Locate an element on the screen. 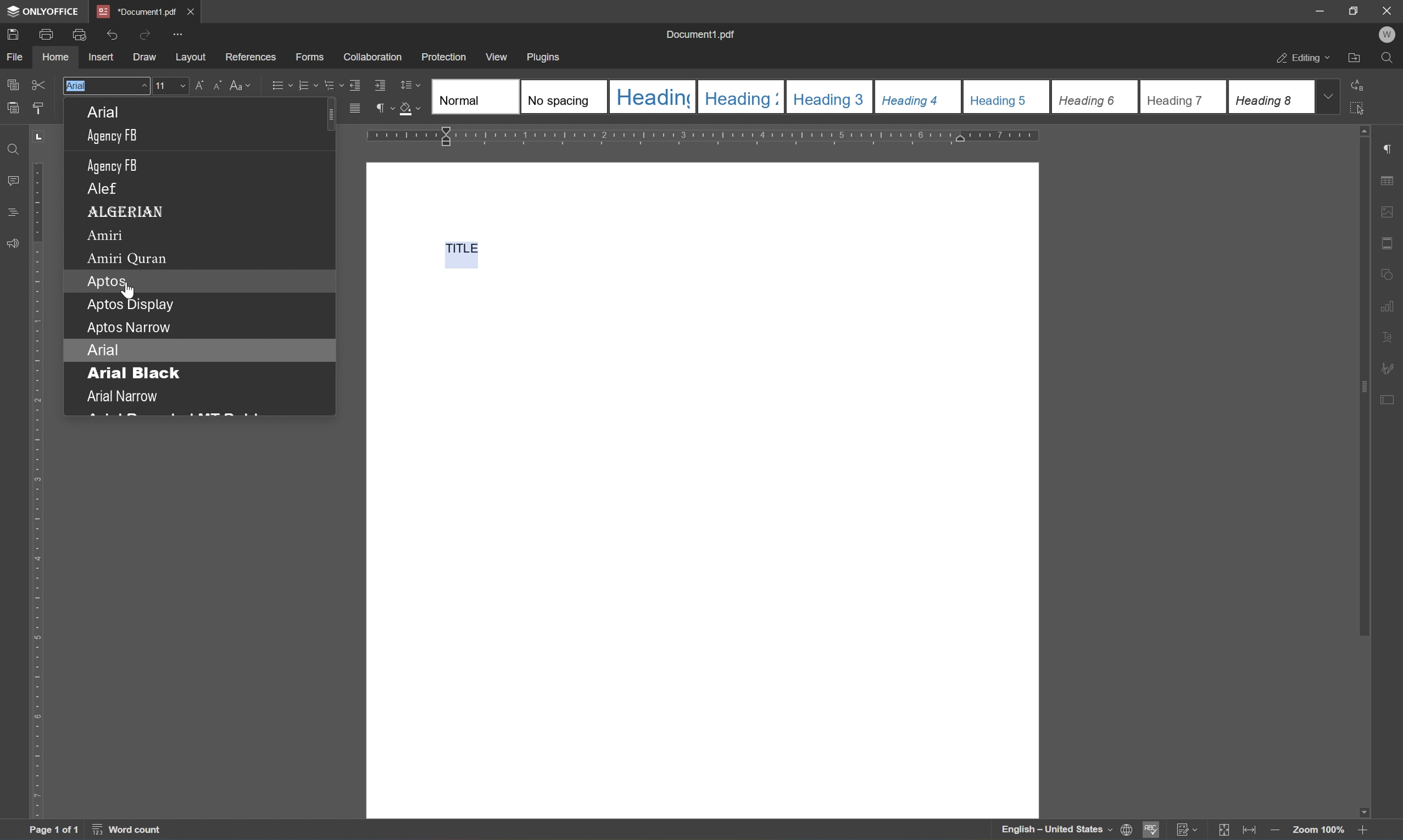 The image size is (1403, 840). feedback & support is located at coordinates (13, 244).